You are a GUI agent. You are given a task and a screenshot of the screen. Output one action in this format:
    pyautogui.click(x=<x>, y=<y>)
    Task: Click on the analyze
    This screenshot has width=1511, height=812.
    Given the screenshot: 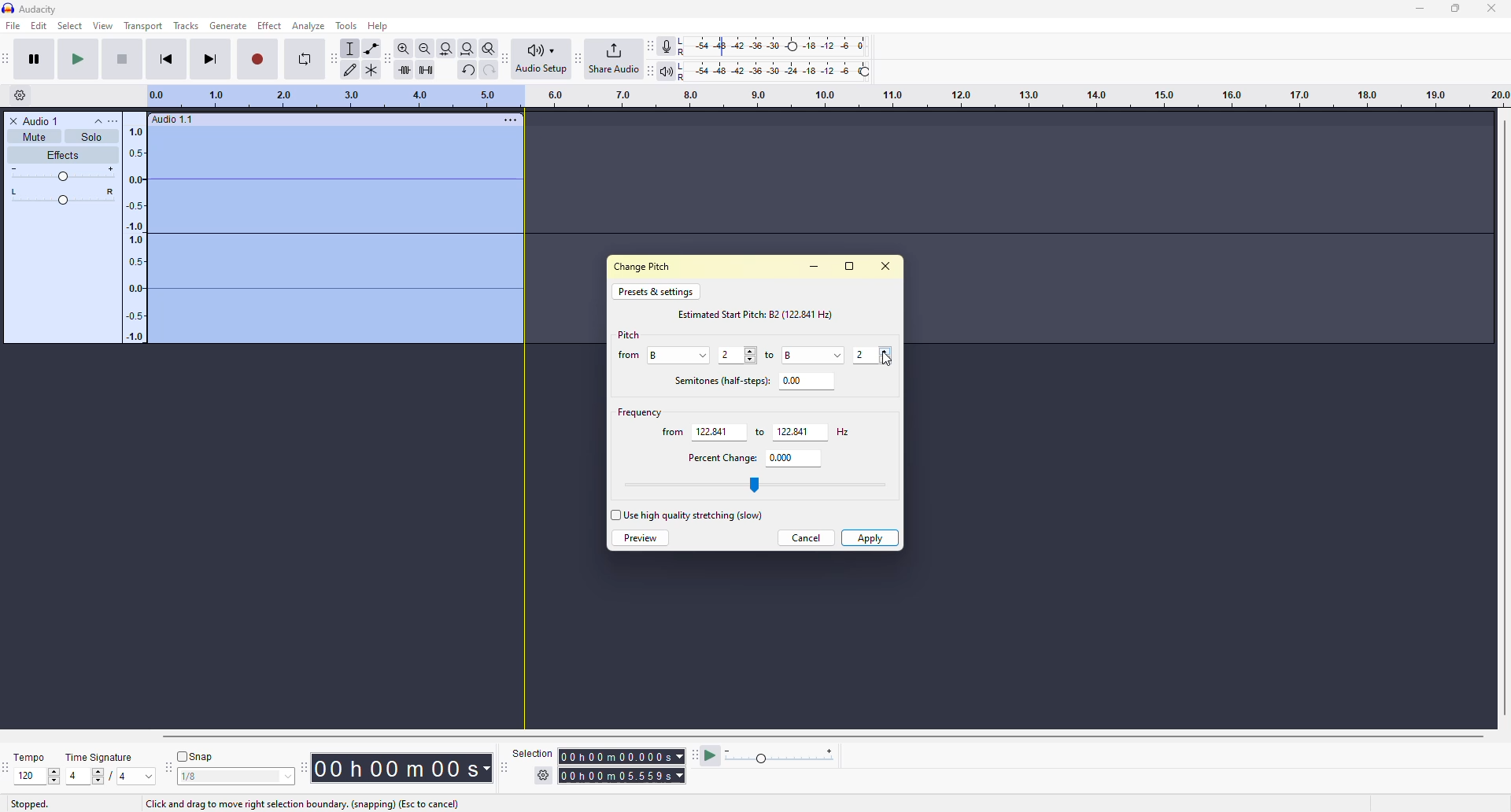 What is the action you would take?
    pyautogui.click(x=310, y=26)
    